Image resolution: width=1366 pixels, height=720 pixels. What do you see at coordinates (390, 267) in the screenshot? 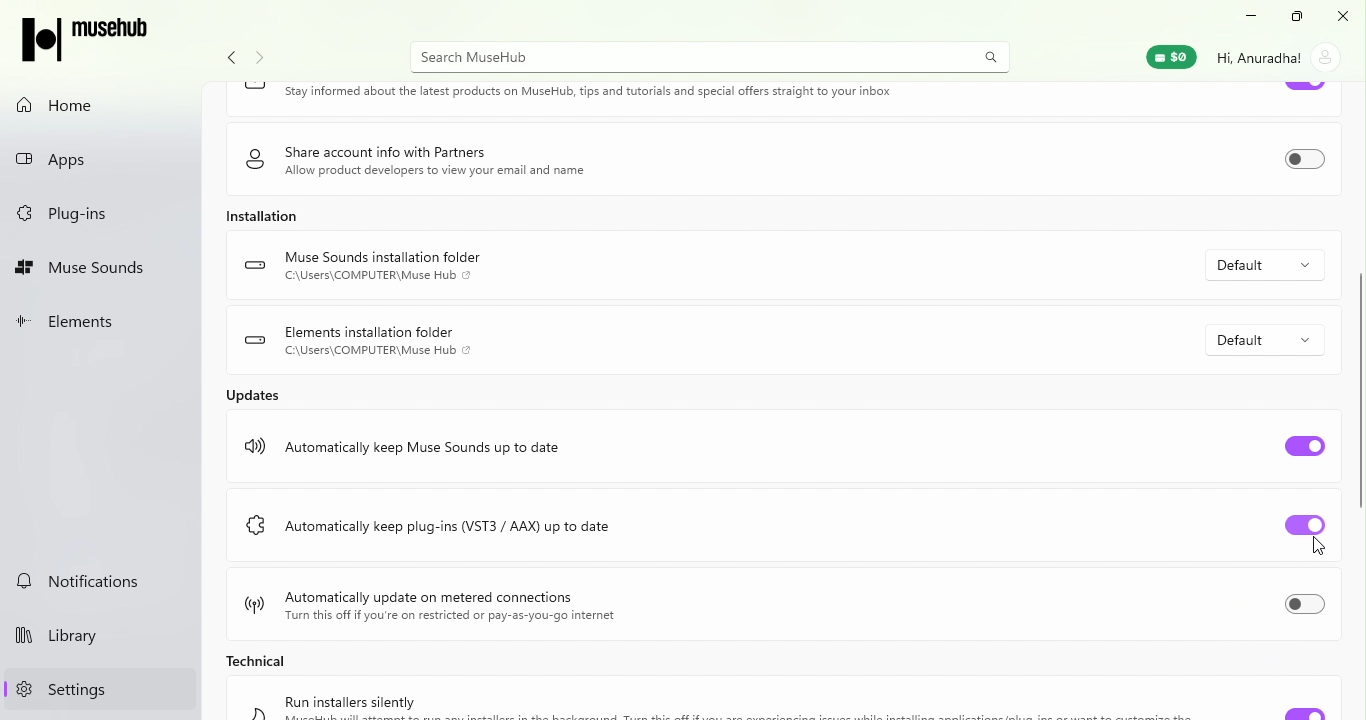
I see `Muse Sounds installation folder C:\Users\COMPUTER\Muse Hub` at bounding box center [390, 267].